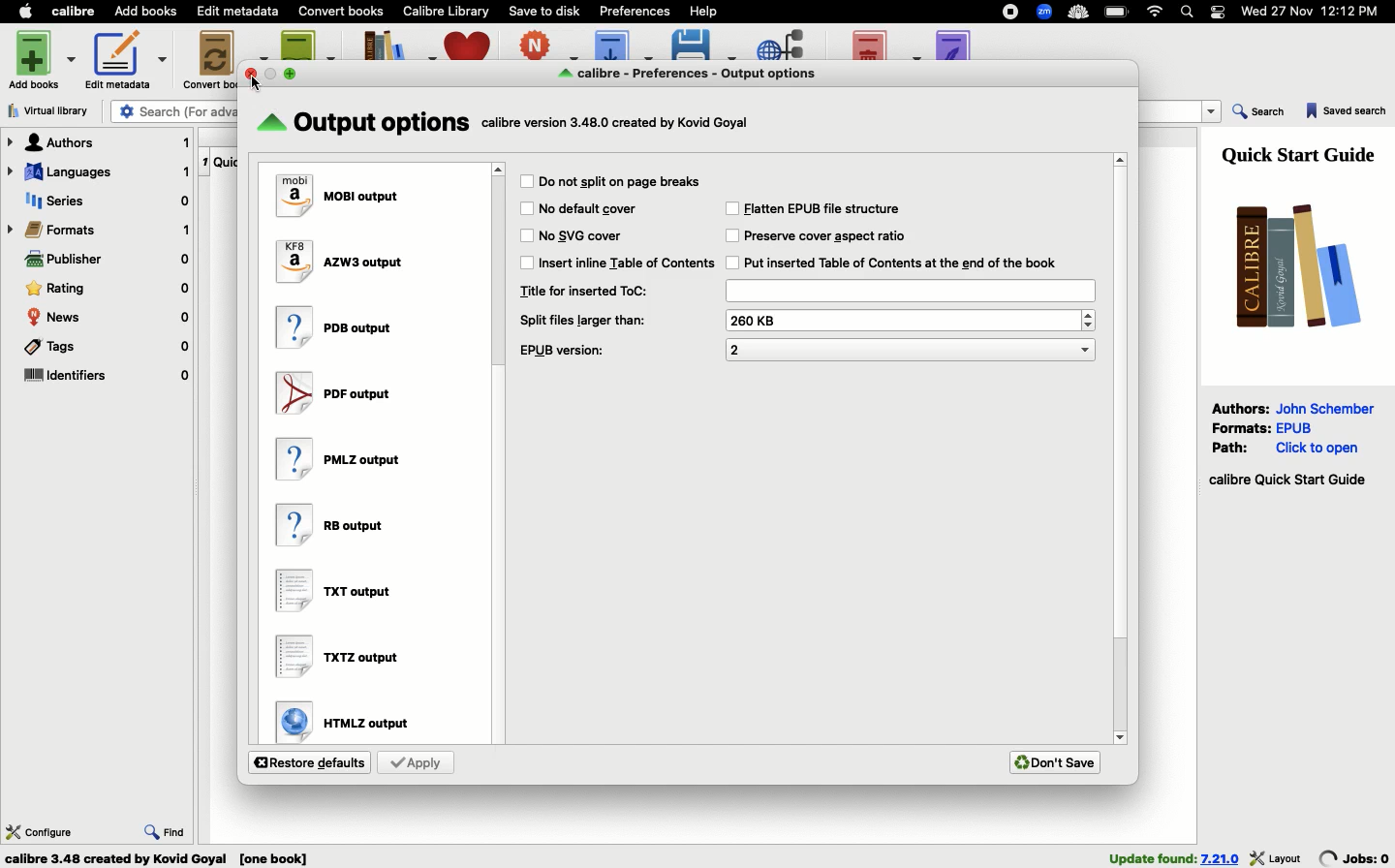 Image resolution: width=1395 pixels, height=868 pixels. What do you see at coordinates (343, 260) in the screenshot?
I see `AZW3` at bounding box center [343, 260].